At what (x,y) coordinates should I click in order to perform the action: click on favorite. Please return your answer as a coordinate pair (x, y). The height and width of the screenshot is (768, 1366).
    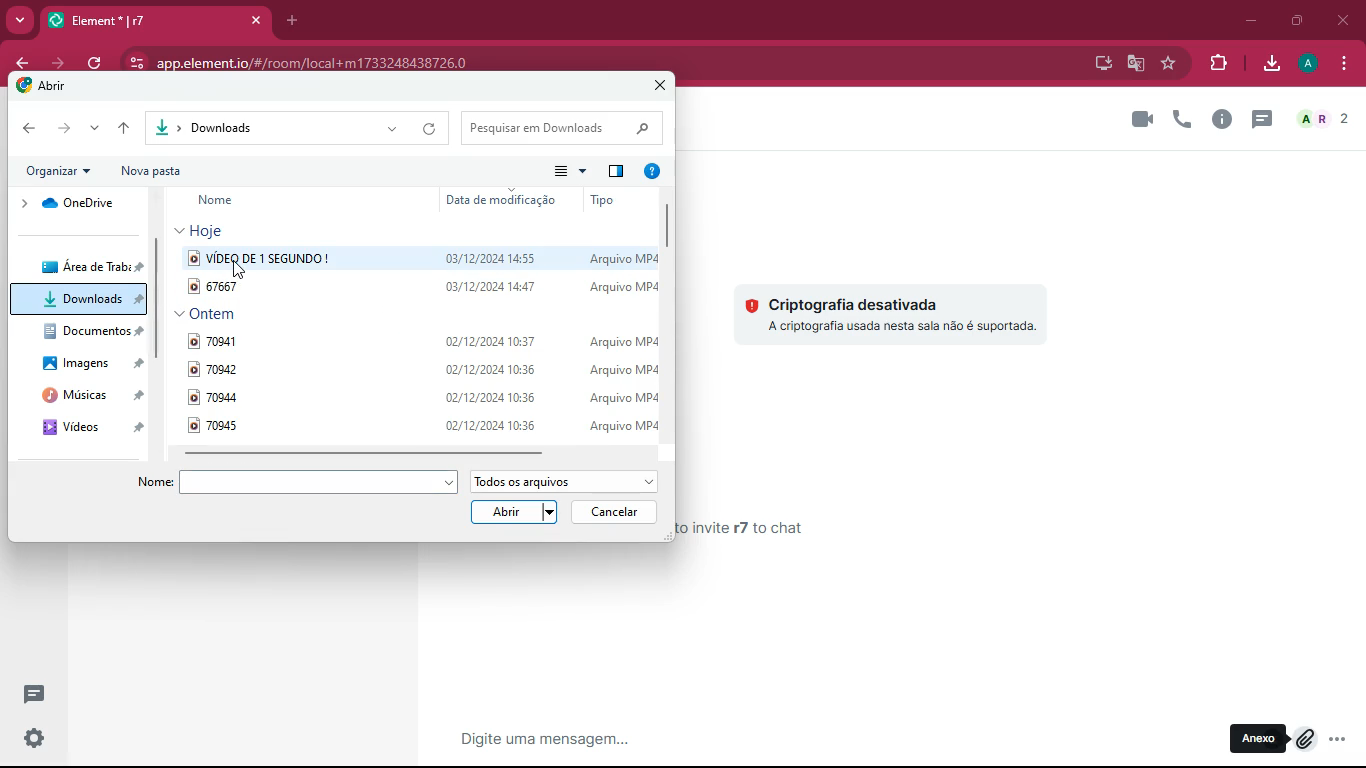
    Looking at the image, I should click on (1169, 64).